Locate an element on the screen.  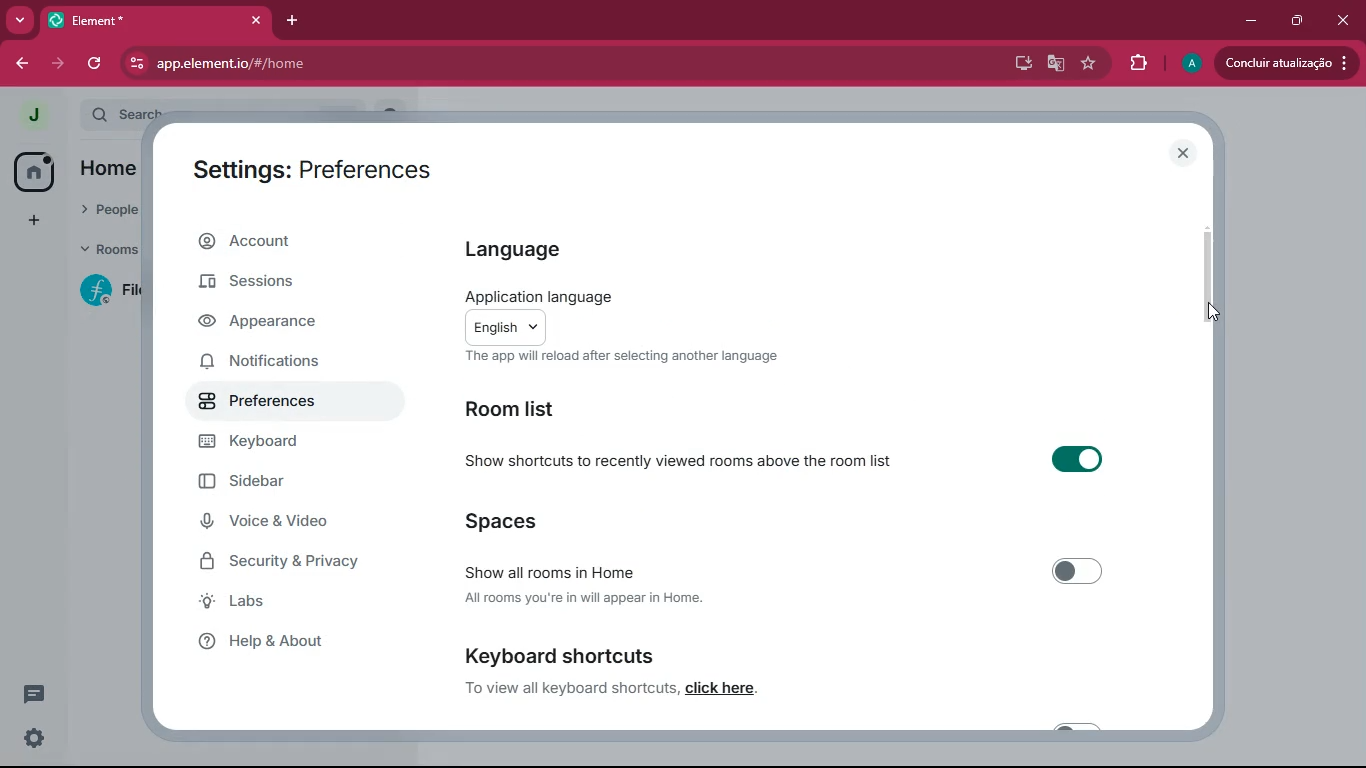
close is located at coordinates (1345, 20).